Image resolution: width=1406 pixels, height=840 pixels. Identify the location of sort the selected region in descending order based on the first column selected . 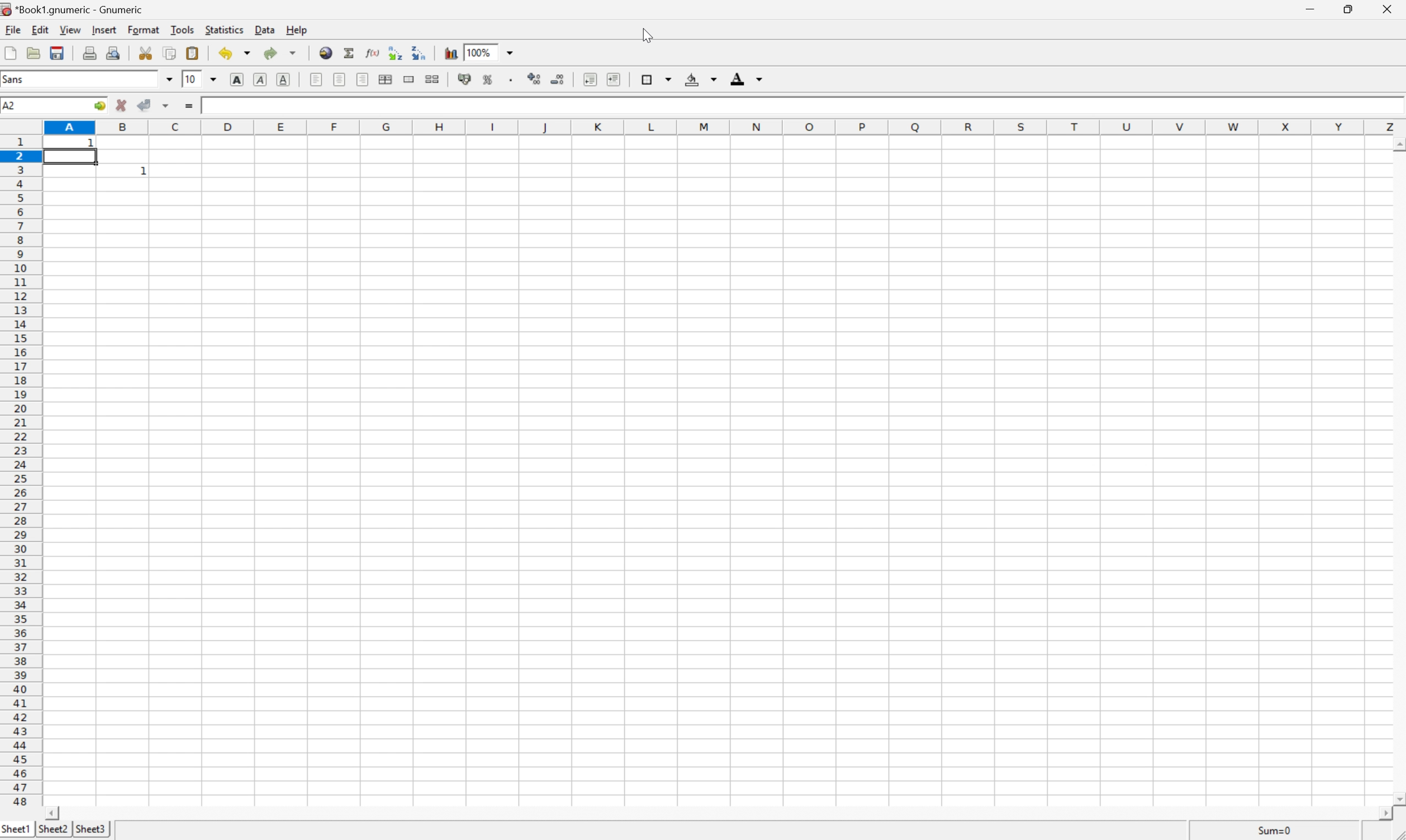
(421, 52).